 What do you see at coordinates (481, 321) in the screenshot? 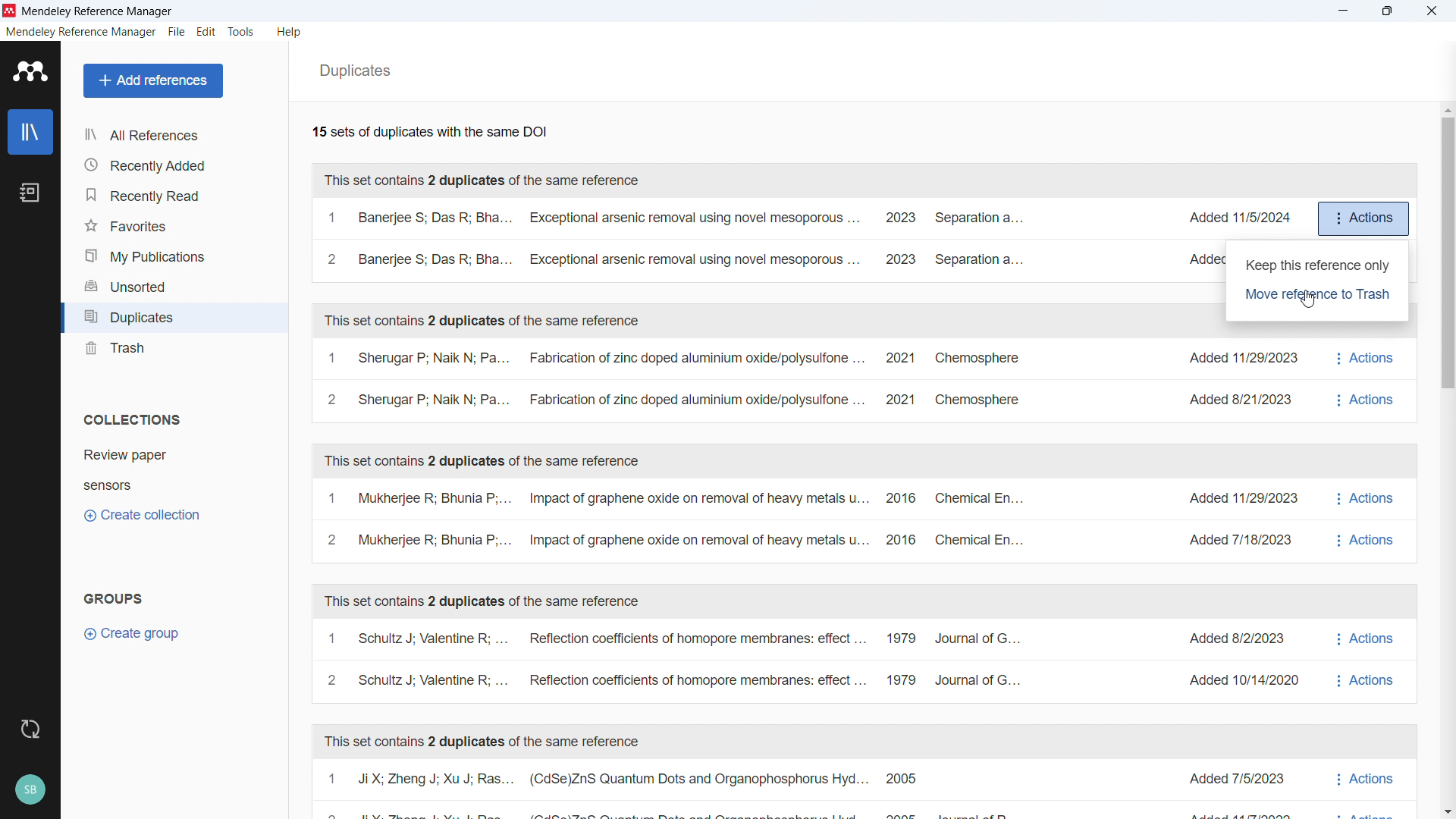
I see `This set contains two duplicates of the same reference` at bounding box center [481, 321].